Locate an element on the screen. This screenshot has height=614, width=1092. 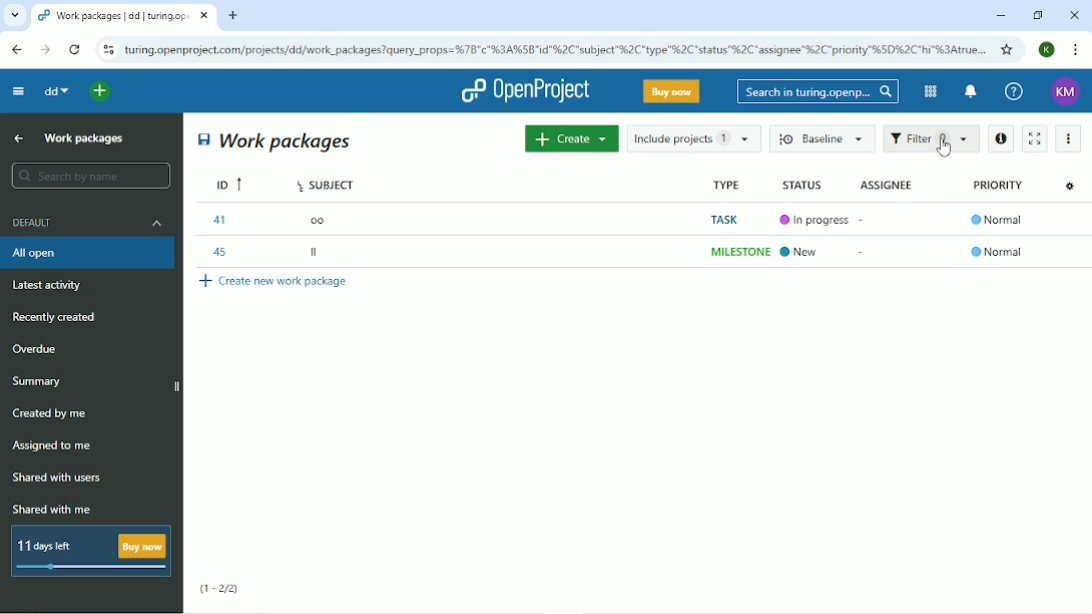
(1-2/2) is located at coordinates (220, 589).